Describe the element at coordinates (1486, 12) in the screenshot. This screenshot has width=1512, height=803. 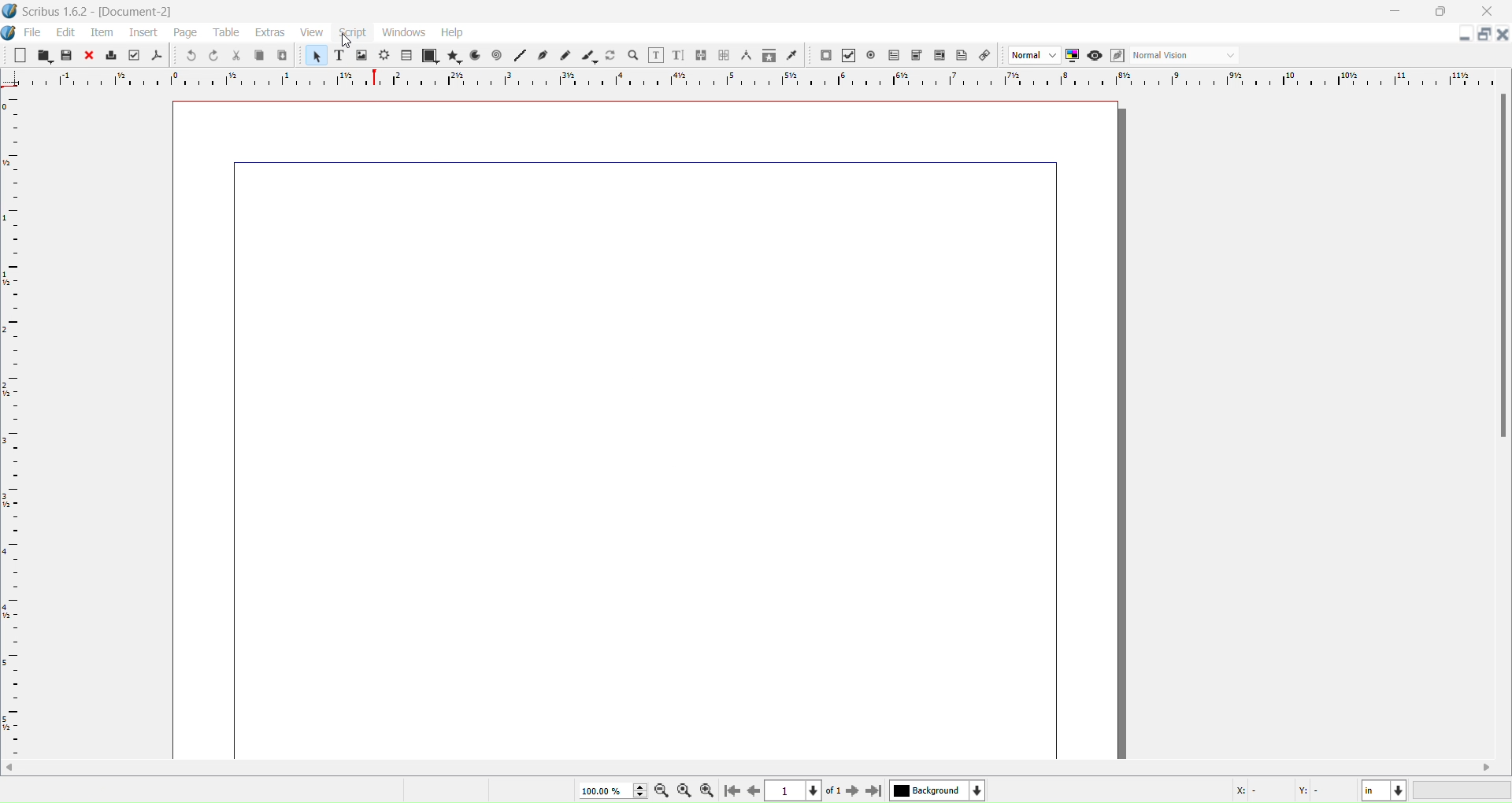
I see `Close` at that location.